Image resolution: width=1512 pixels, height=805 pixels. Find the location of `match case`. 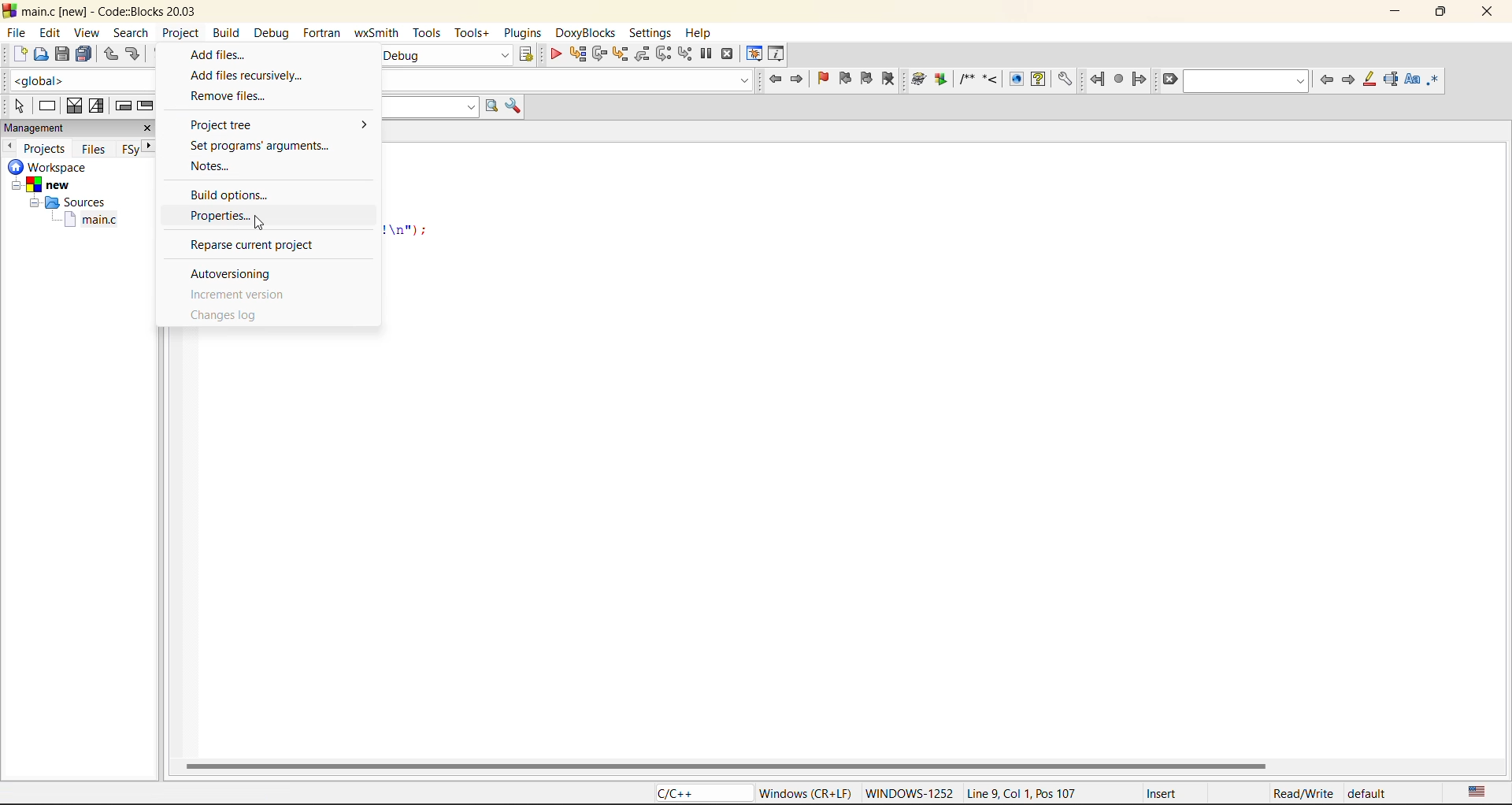

match case is located at coordinates (1413, 80).